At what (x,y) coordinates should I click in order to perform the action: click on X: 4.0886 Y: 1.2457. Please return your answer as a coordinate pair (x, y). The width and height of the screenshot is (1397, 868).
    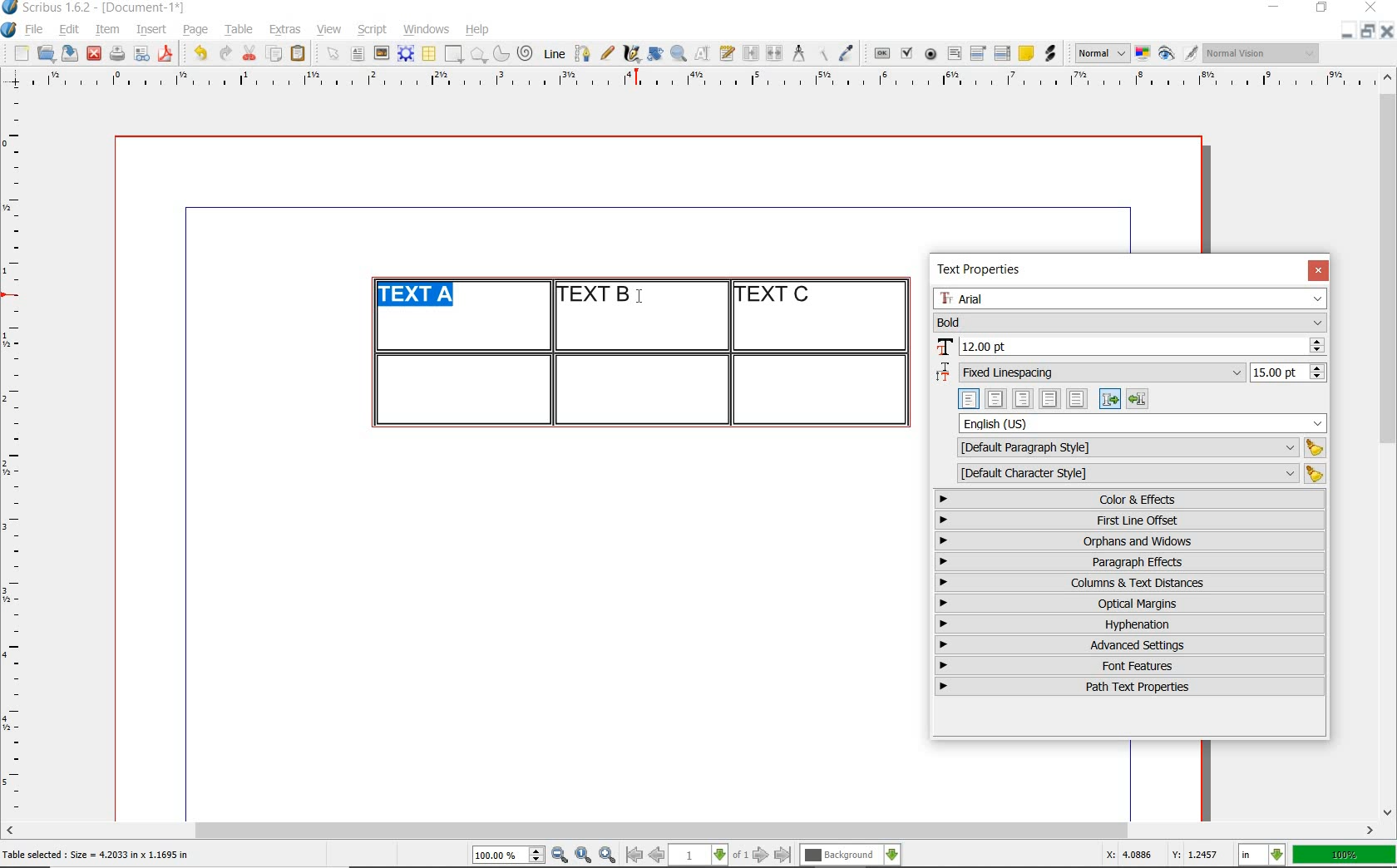
    Looking at the image, I should click on (1165, 855).